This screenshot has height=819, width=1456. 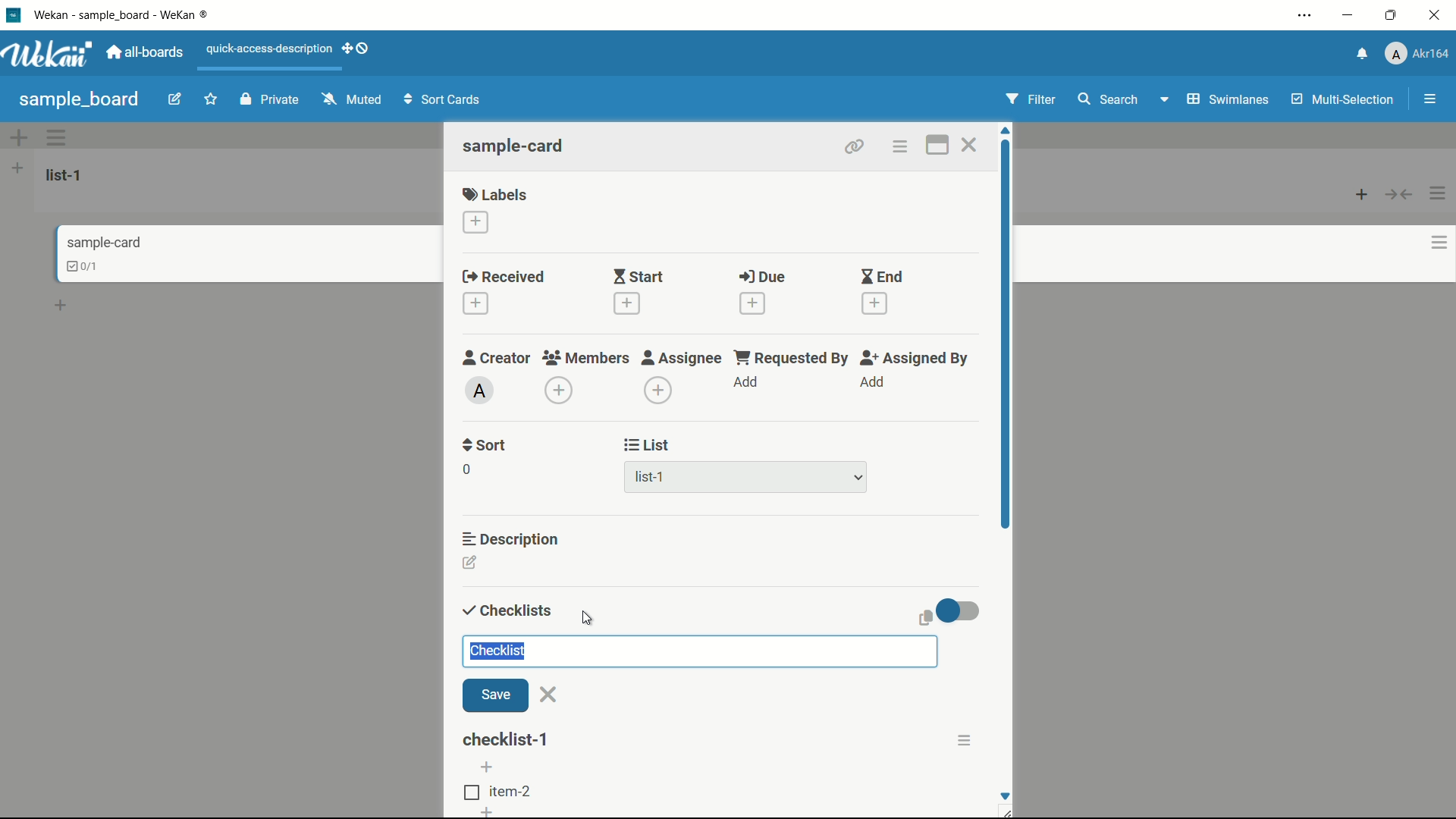 I want to click on list, so click(x=648, y=445).